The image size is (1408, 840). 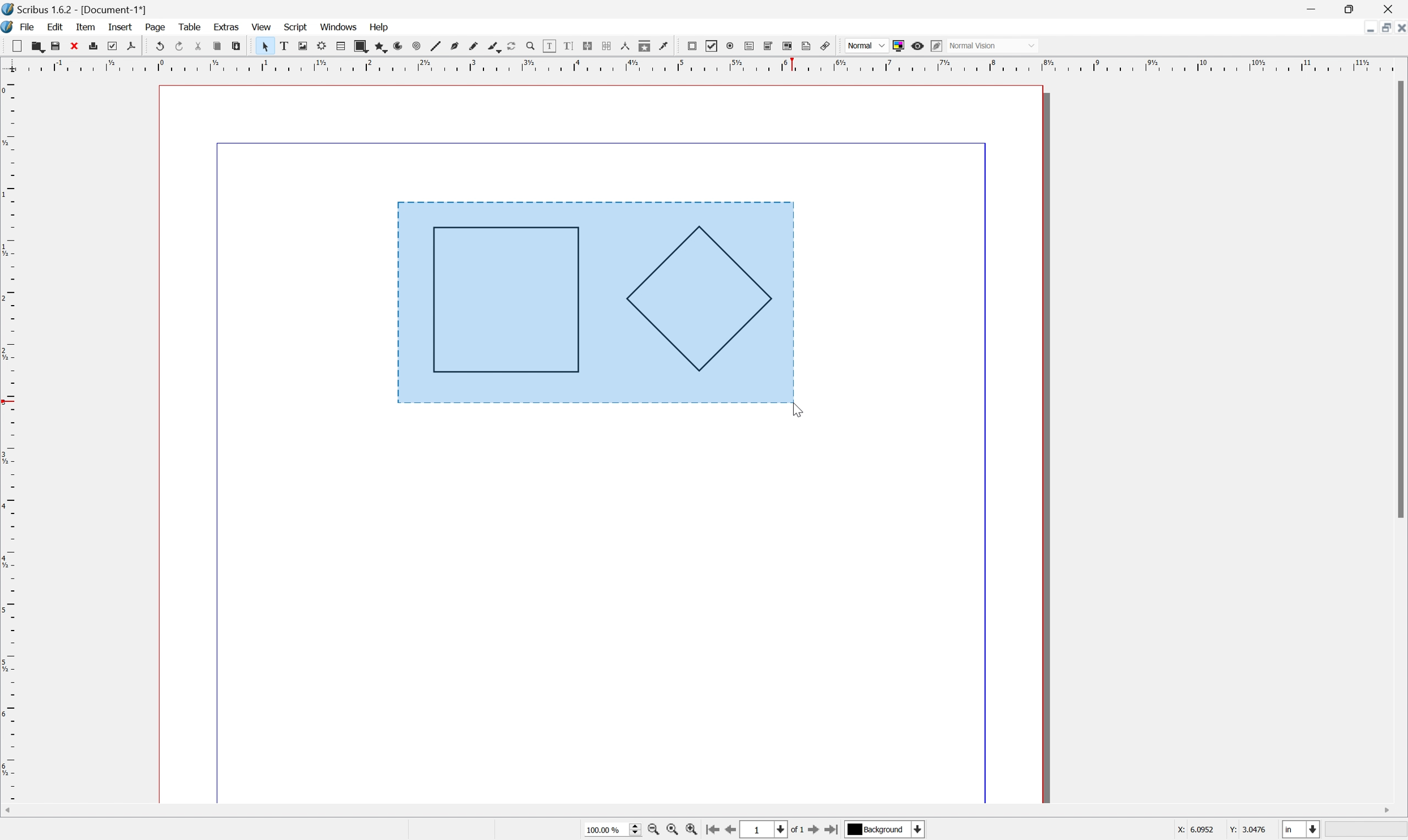 What do you see at coordinates (434, 45) in the screenshot?
I see `line` at bounding box center [434, 45].